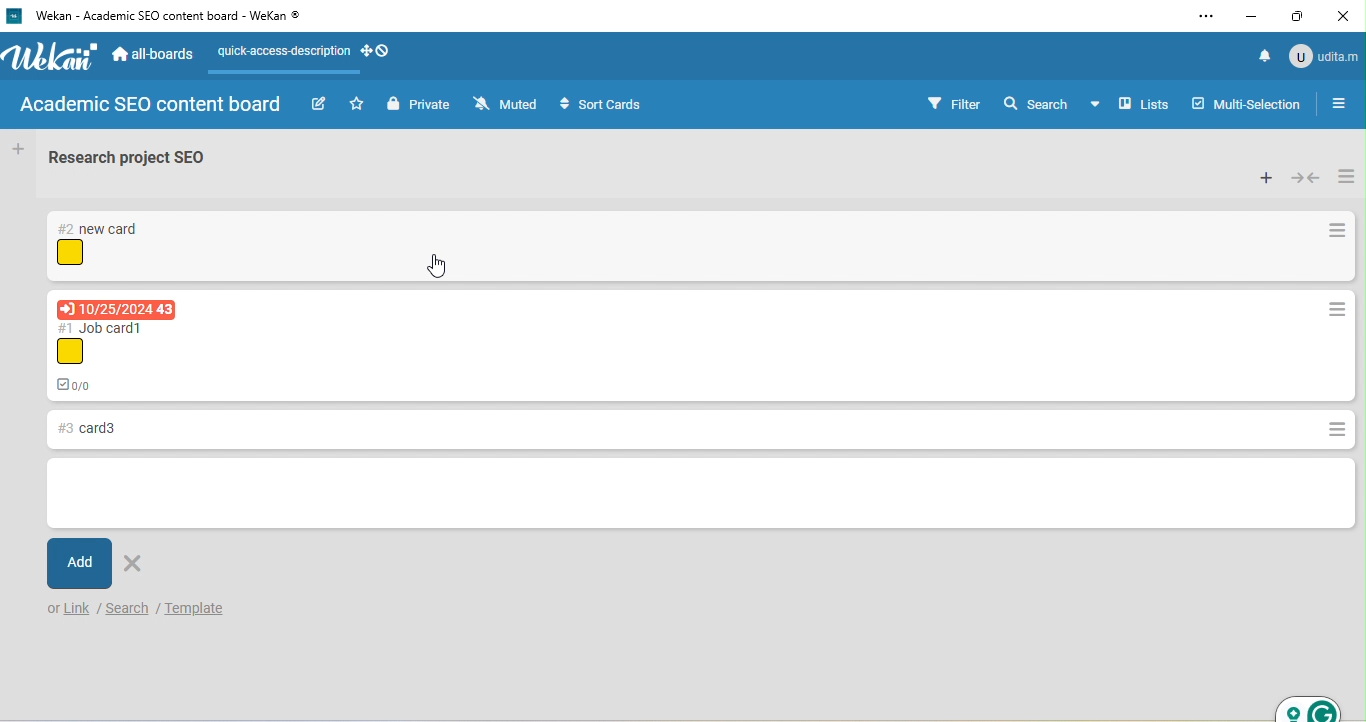  I want to click on quick access description, so click(279, 52).